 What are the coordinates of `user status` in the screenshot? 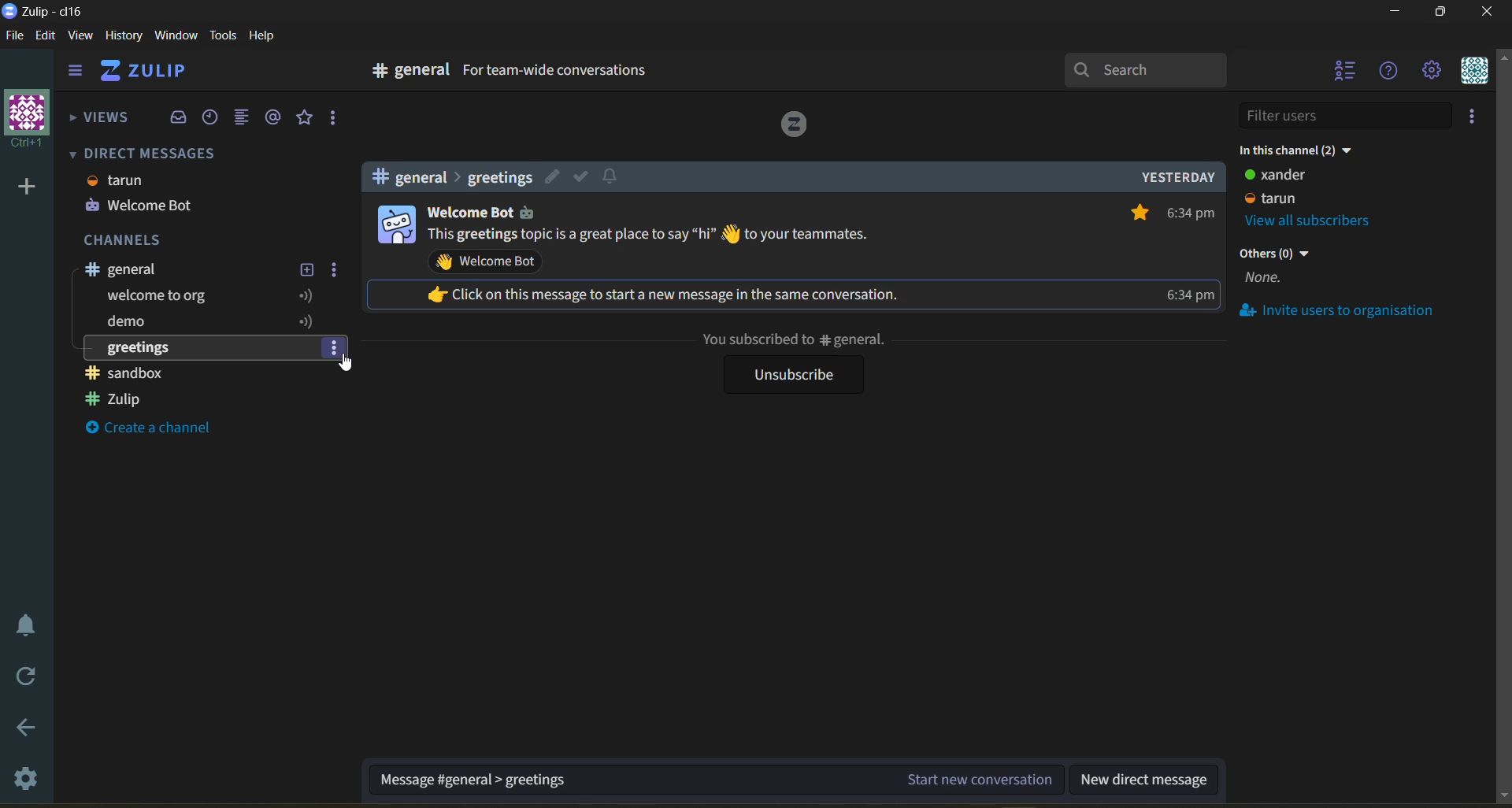 It's located at (1293, 187).